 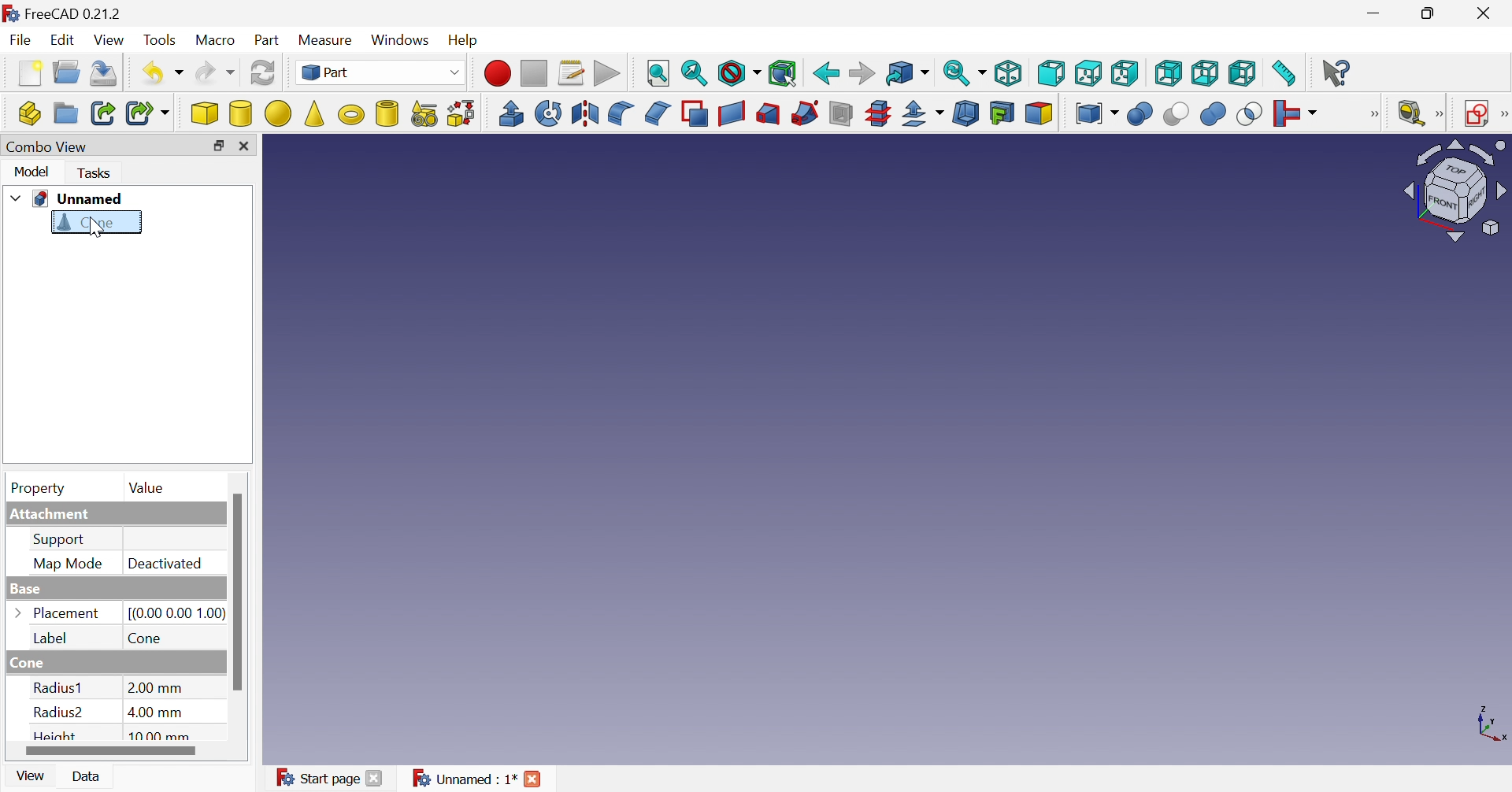 I want to click on Create sketch, so click(x=1476, y=115).